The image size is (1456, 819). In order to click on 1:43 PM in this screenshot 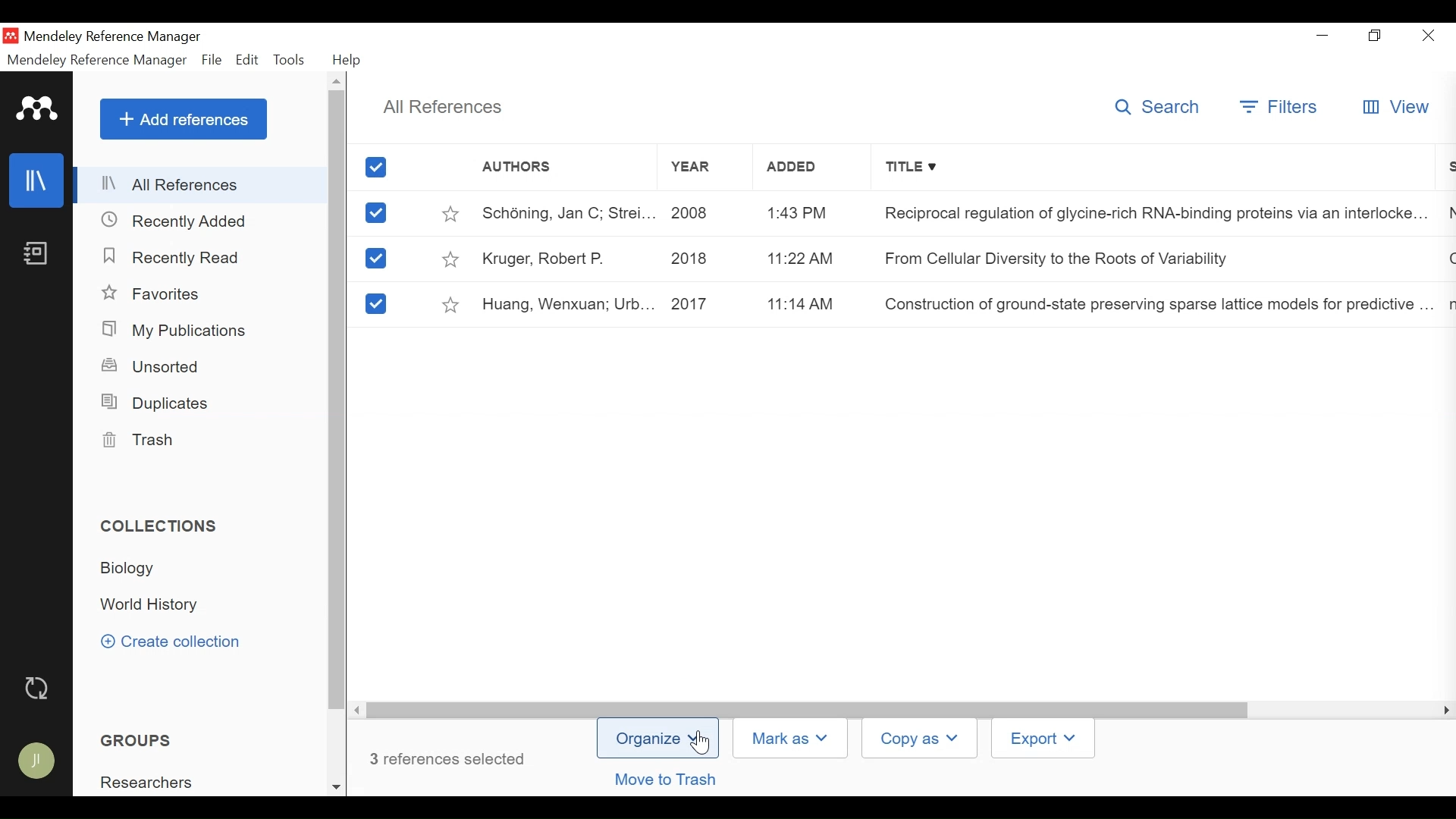, I will do `click(802, 214)`.